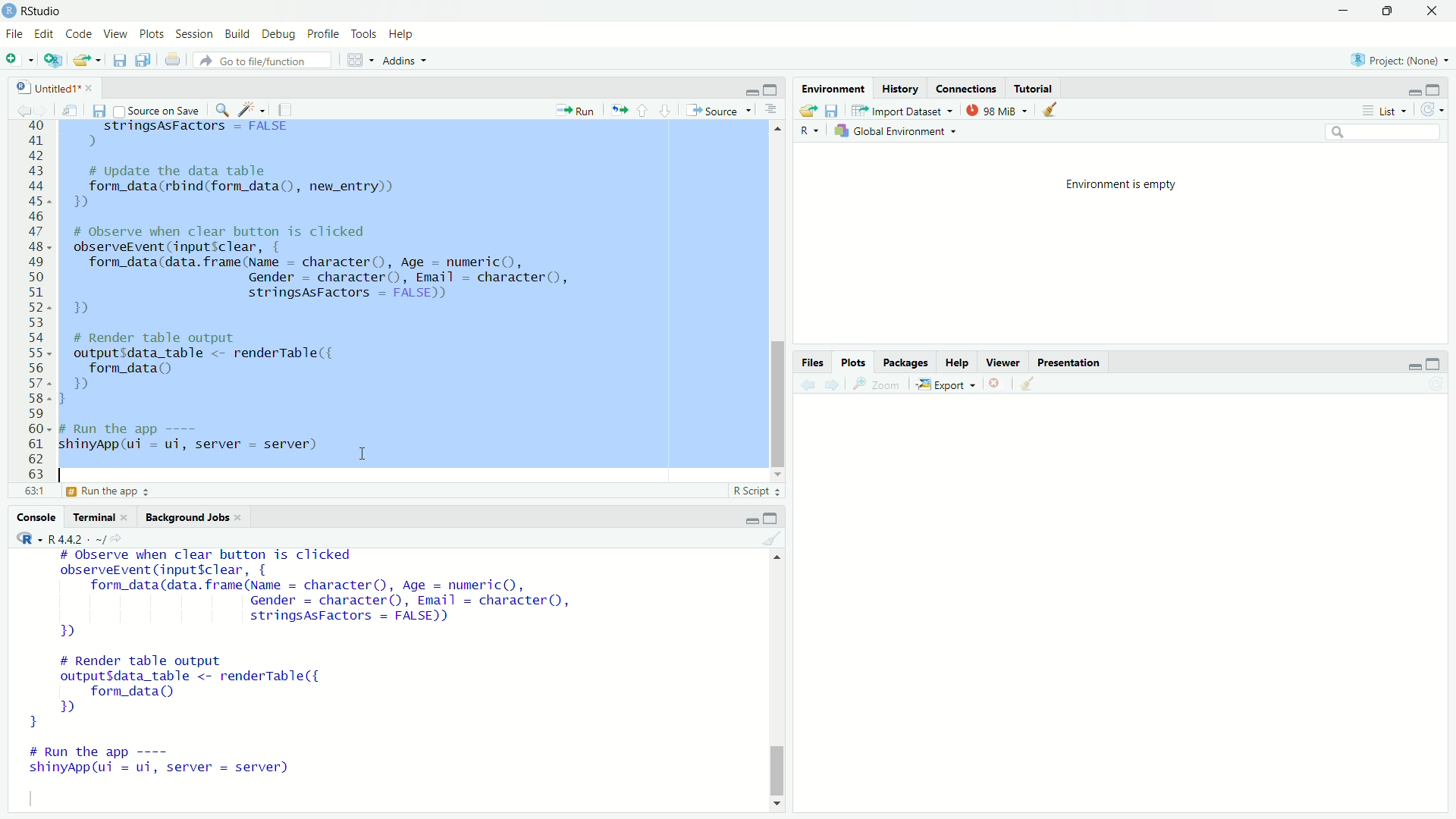 The width and height of the screenshot is (1456, 819). Describe the element at coordinates (186, 516) in the screenshot. I see `background jobs` at that location.